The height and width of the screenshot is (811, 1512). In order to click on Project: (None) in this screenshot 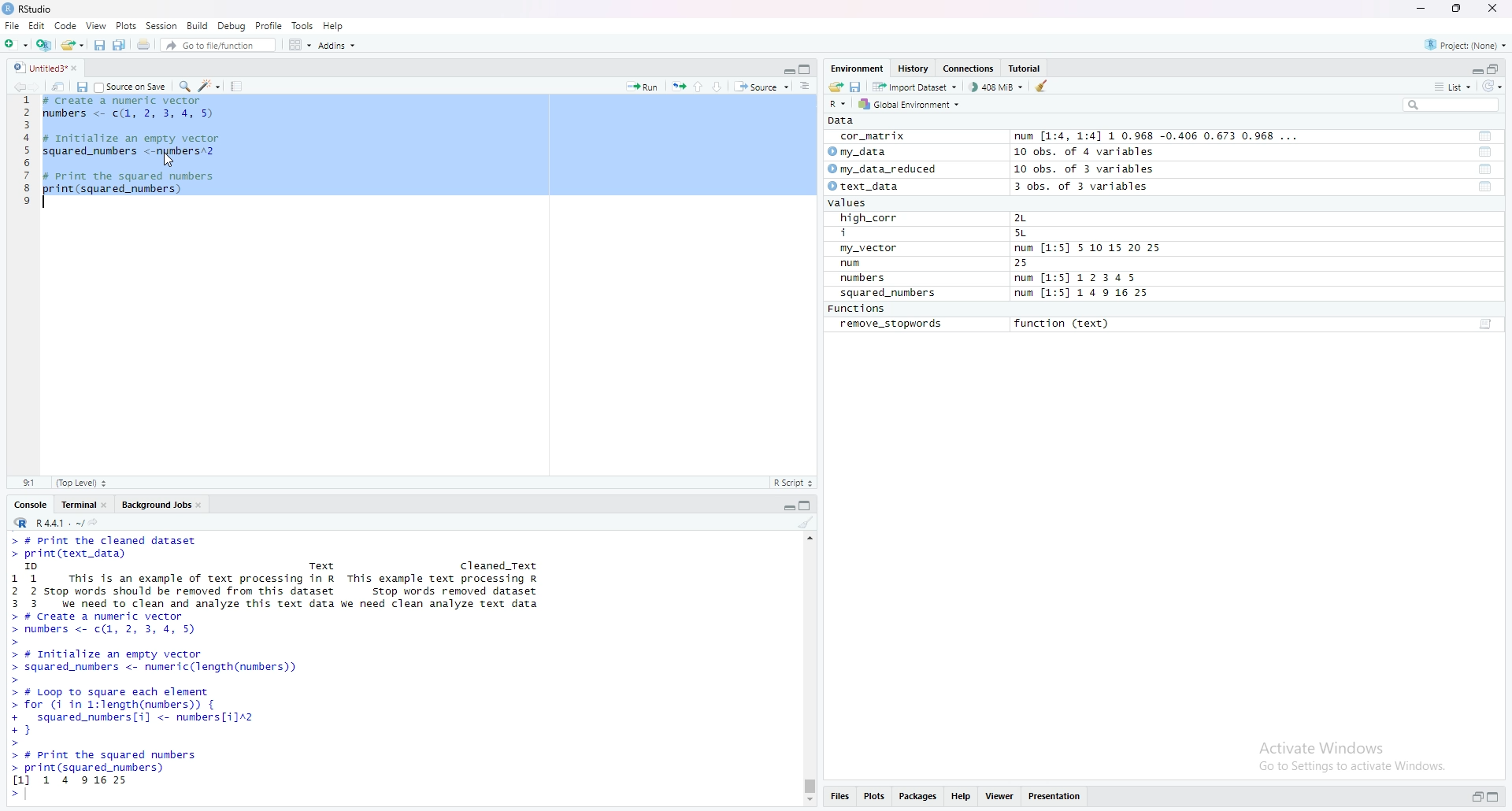, I will do `click(1467, 43)`.